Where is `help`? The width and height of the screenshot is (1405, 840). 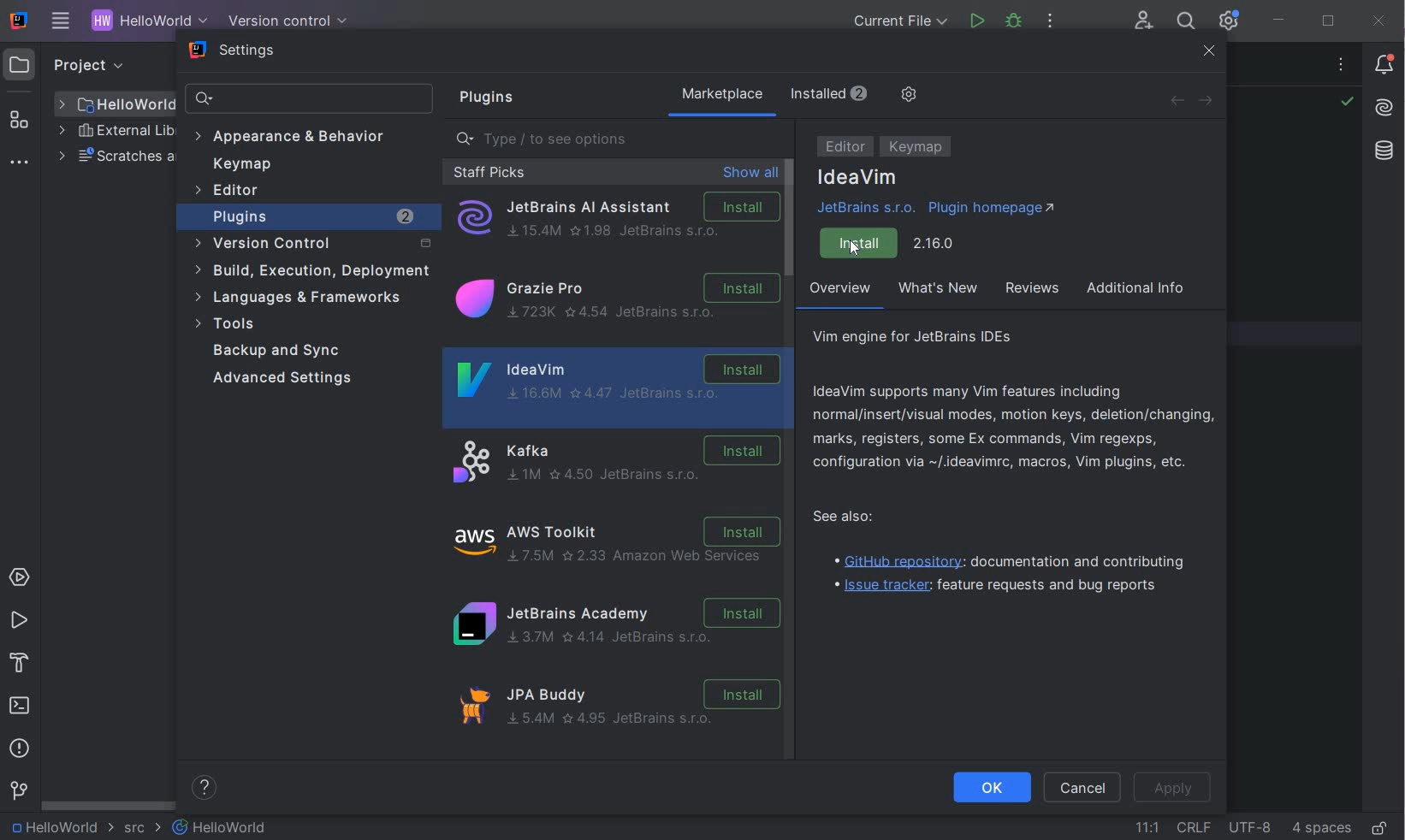 help is located at coordinates (210, 784).